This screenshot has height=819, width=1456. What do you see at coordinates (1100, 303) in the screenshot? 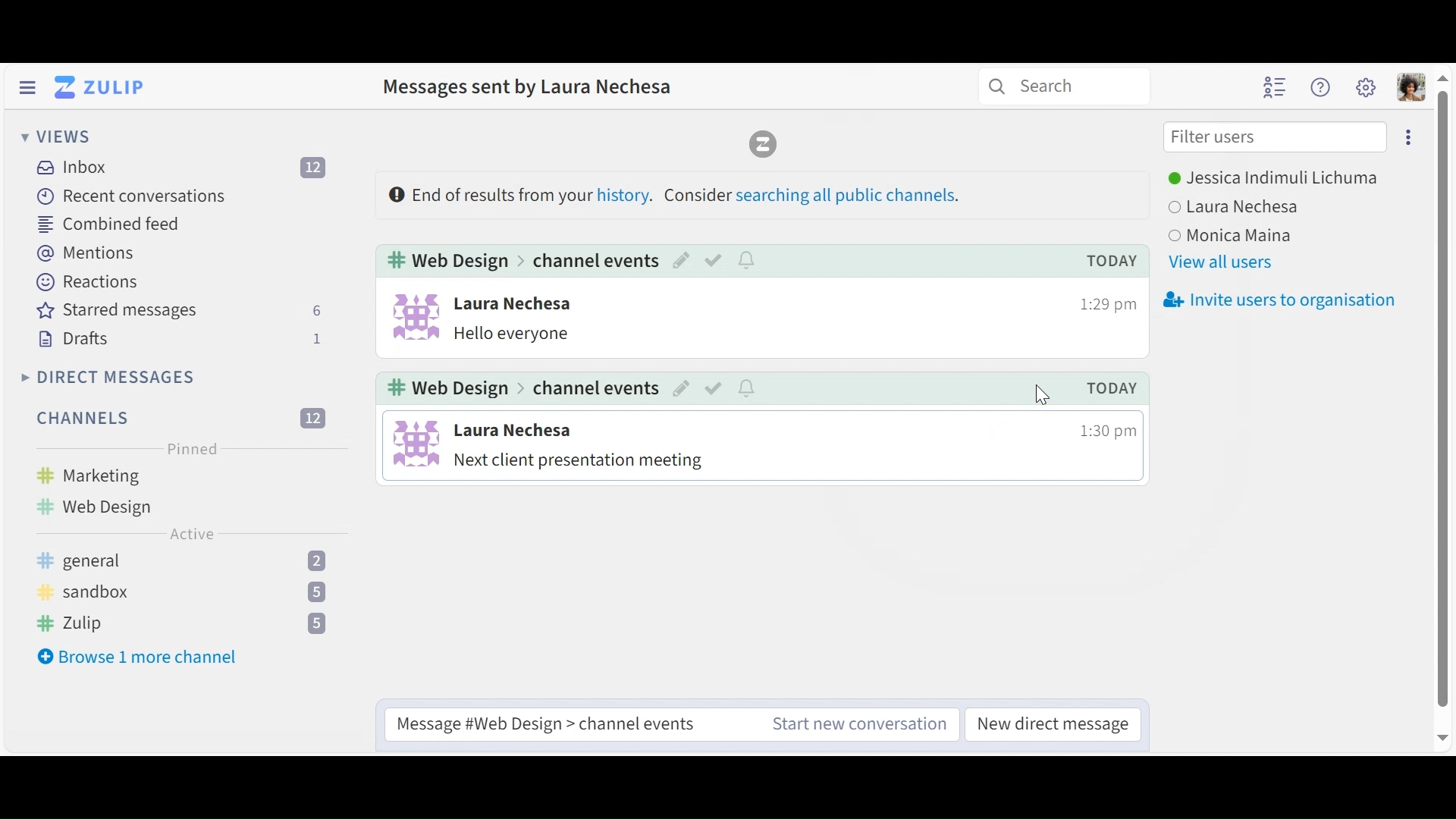
I see `time` at bounding box center [1100, 303].